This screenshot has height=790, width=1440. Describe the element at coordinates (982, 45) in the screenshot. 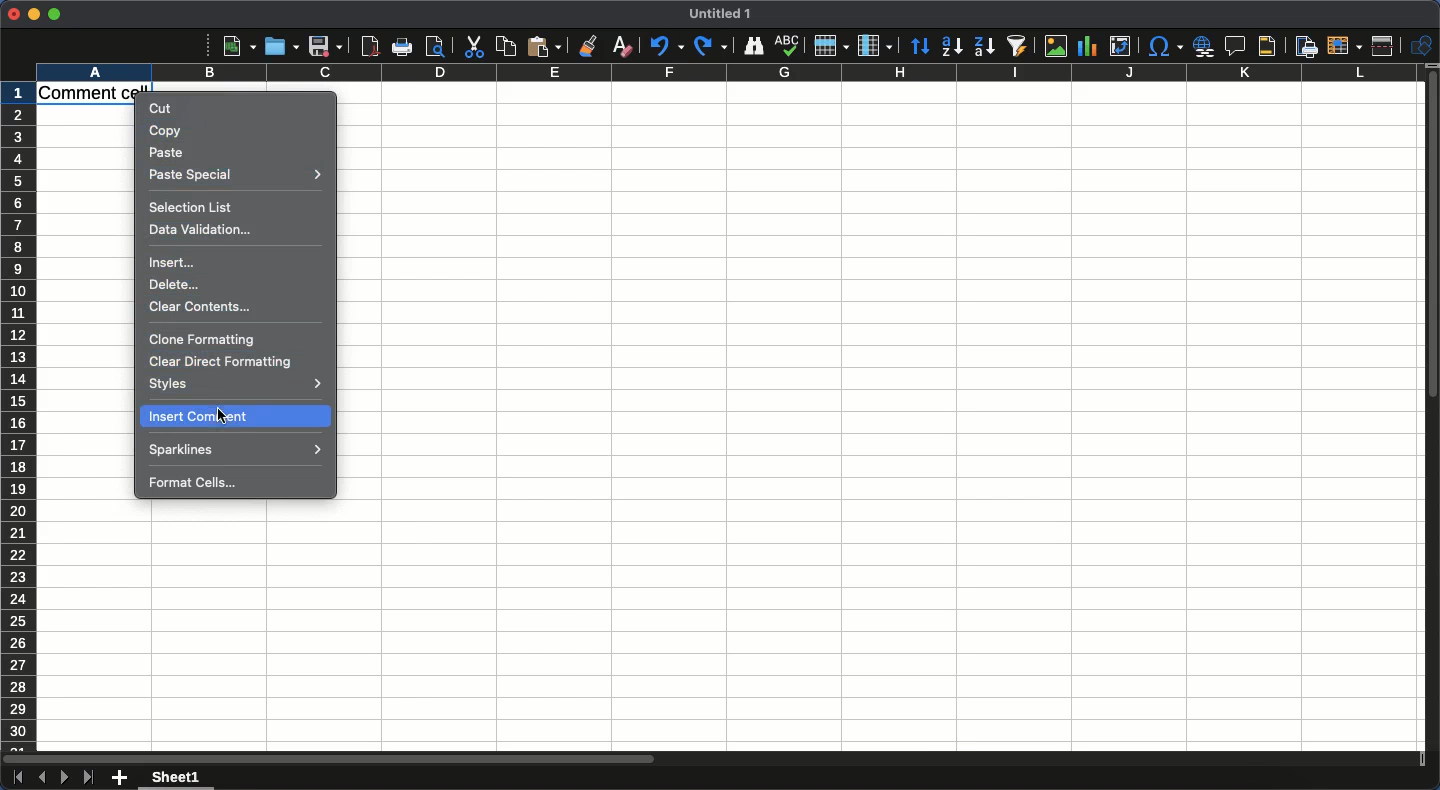

I see `Descending` at that location.